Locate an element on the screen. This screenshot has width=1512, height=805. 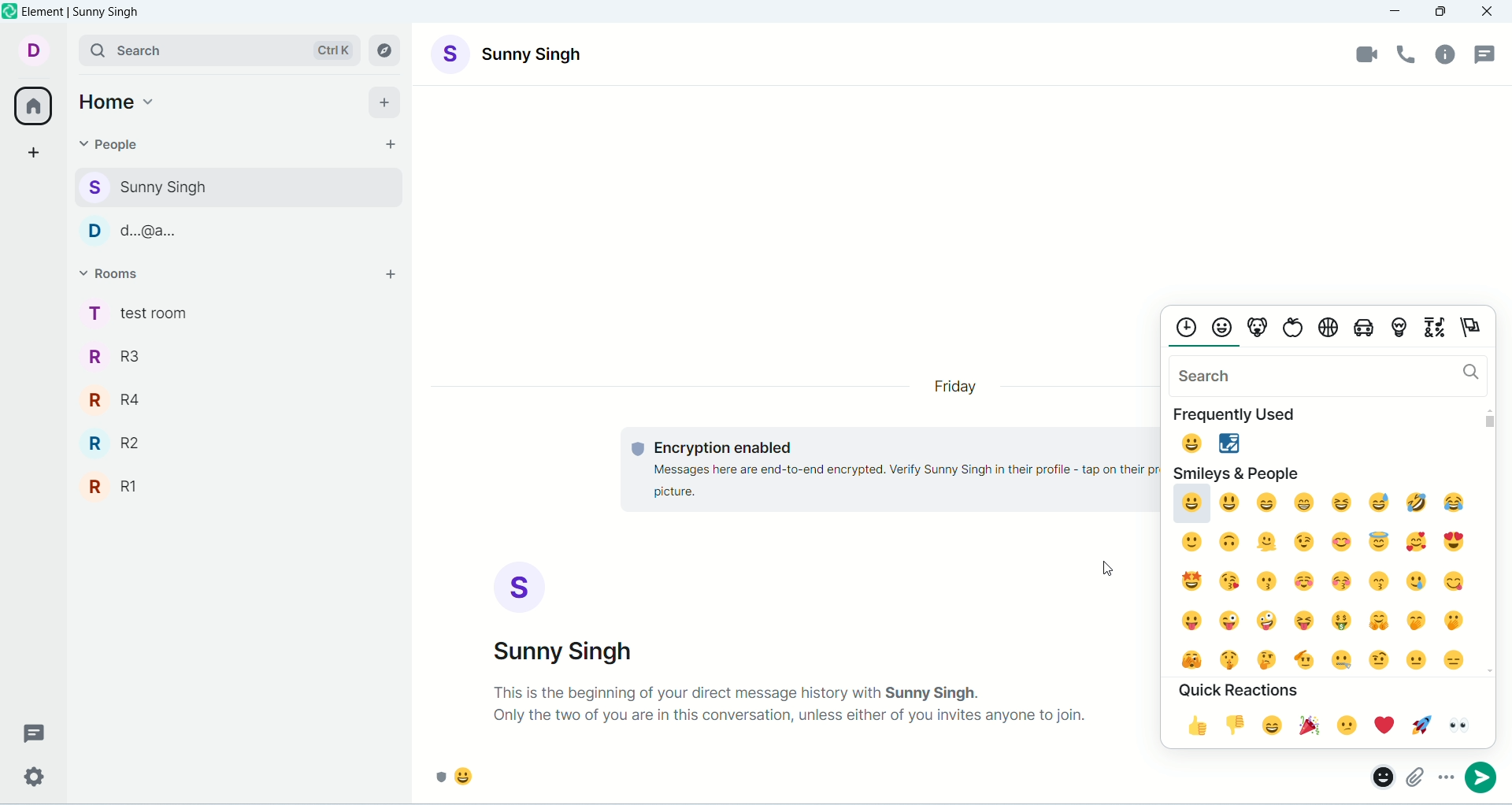
R3 is located at coordinates (236, 354).